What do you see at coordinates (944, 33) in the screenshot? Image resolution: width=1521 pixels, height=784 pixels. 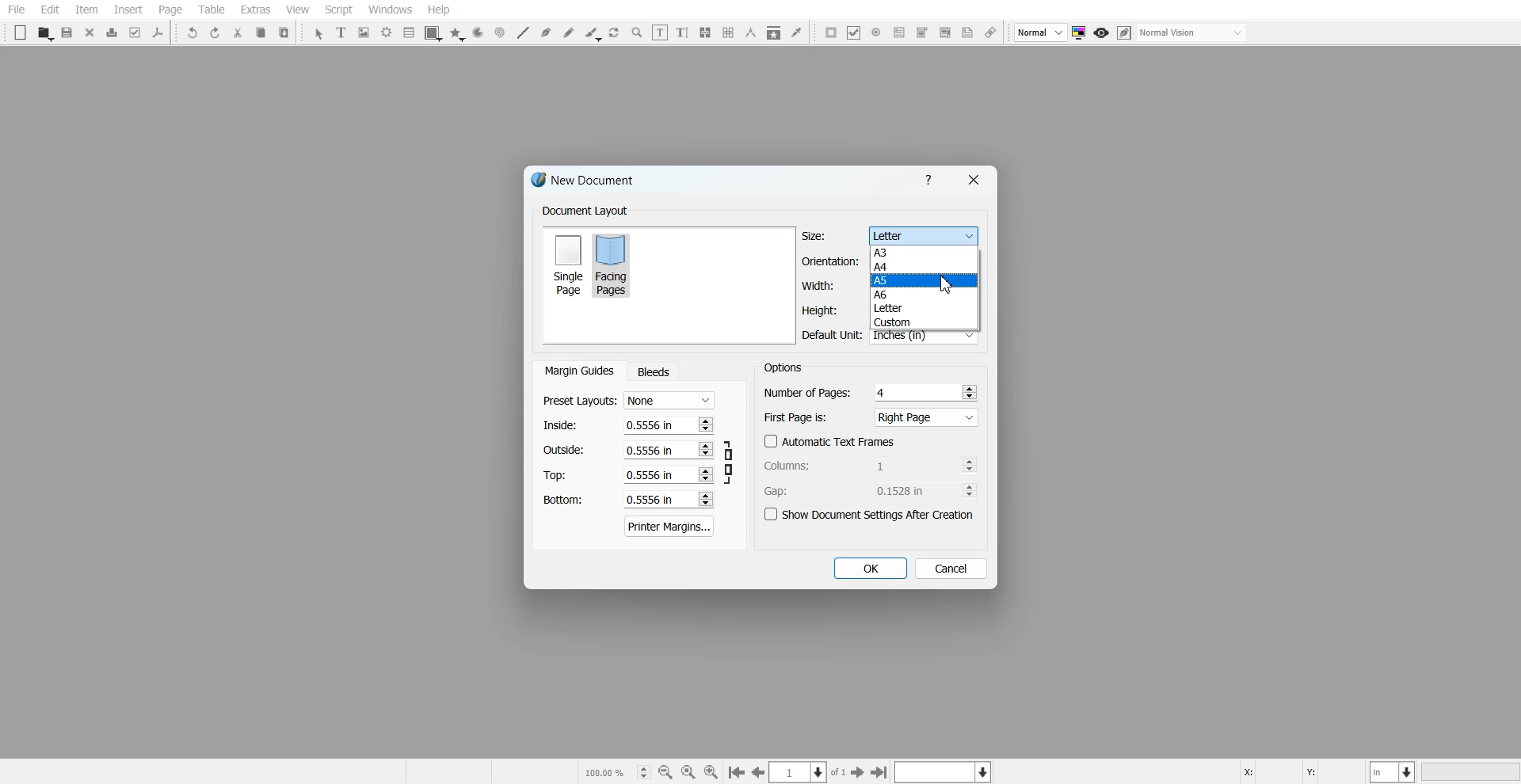 I see `PDF List Box` at bounding box center [944, 33].